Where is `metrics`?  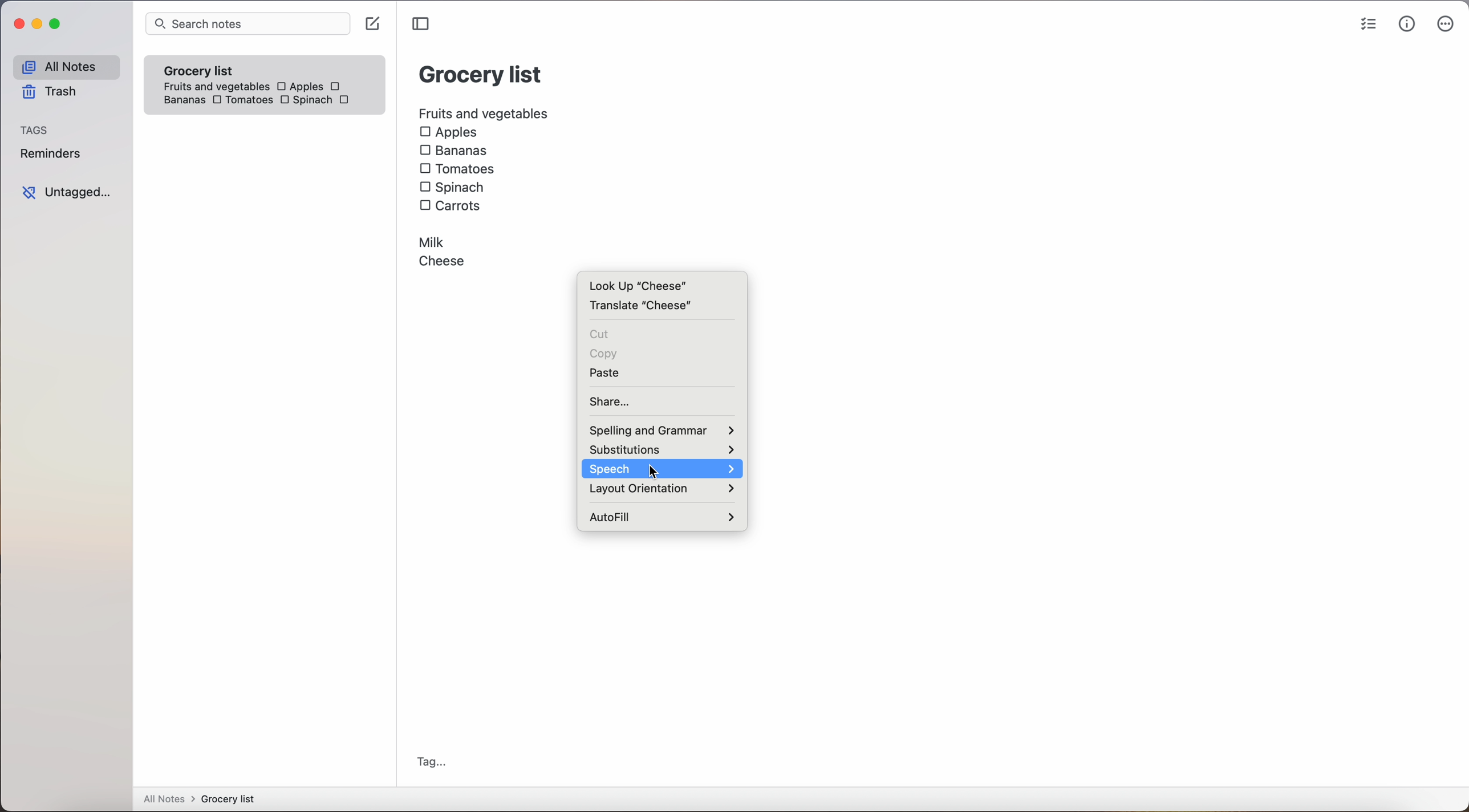 metrics is located at coordinates (1406, 25).